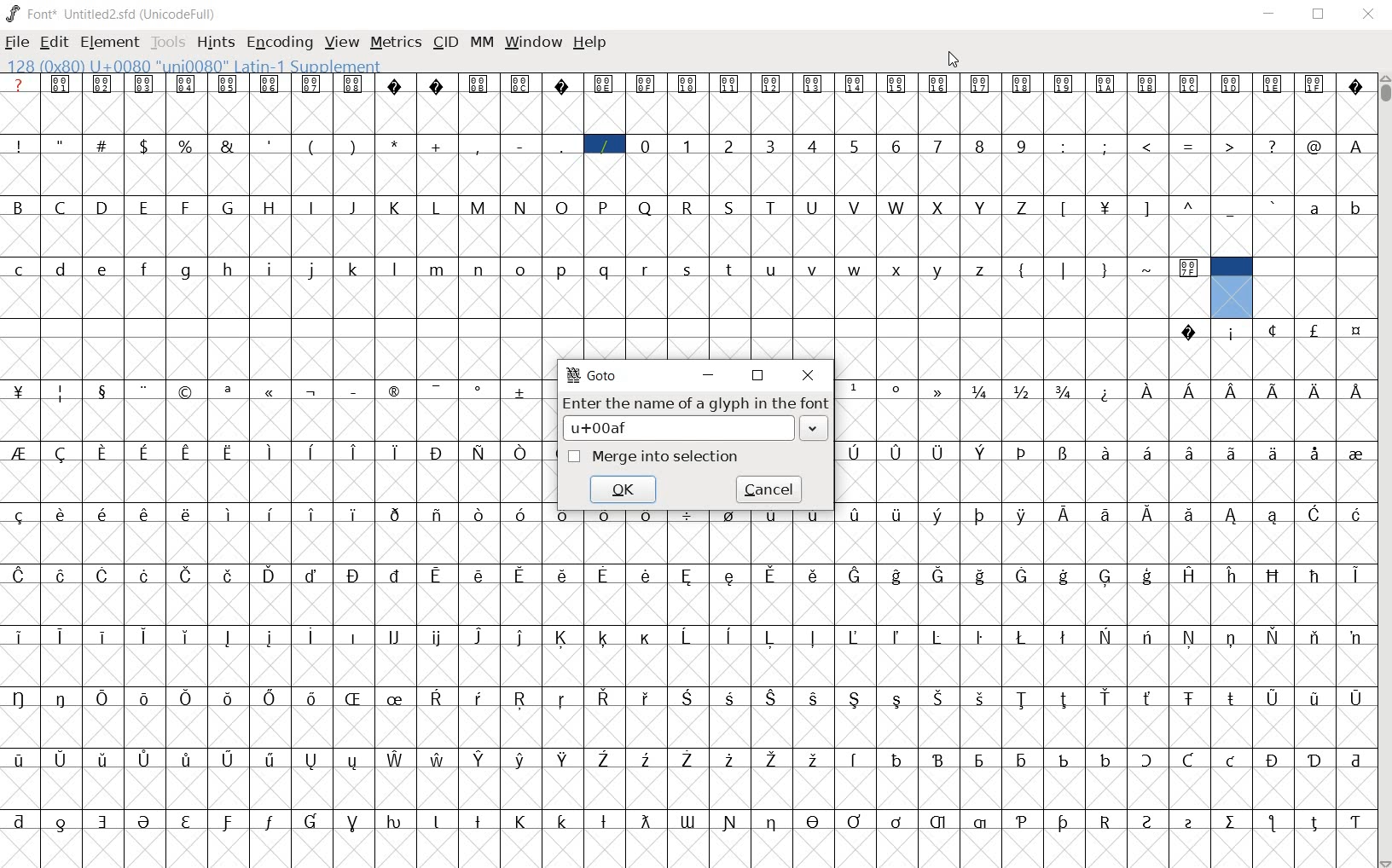  Describe the element at coordinates (687, 638) in the screenshot. I see `Symbol` at that location.